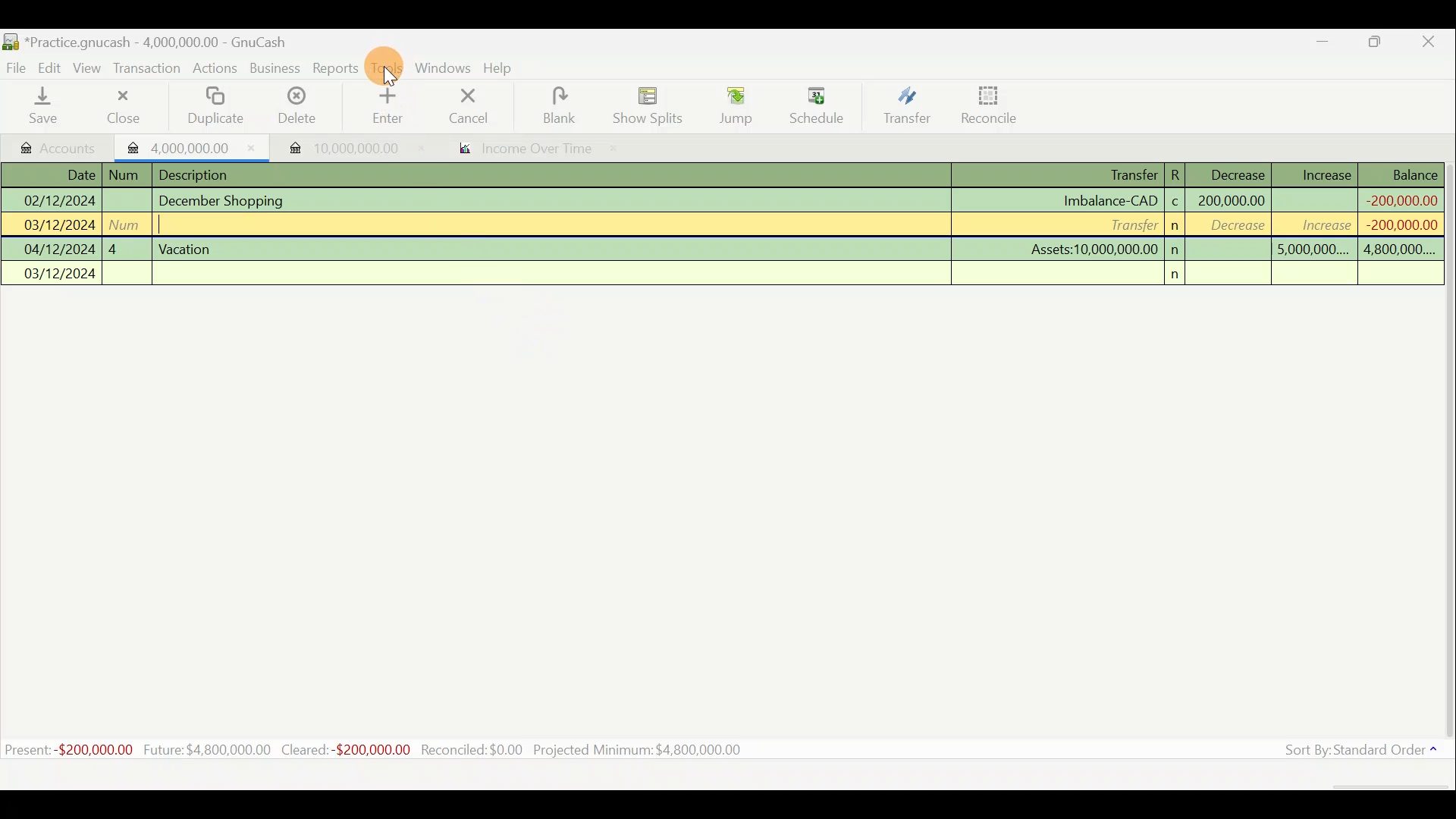  Describe the element at coordinates (1177, 226) in the screenshot. I see `n` at that location.